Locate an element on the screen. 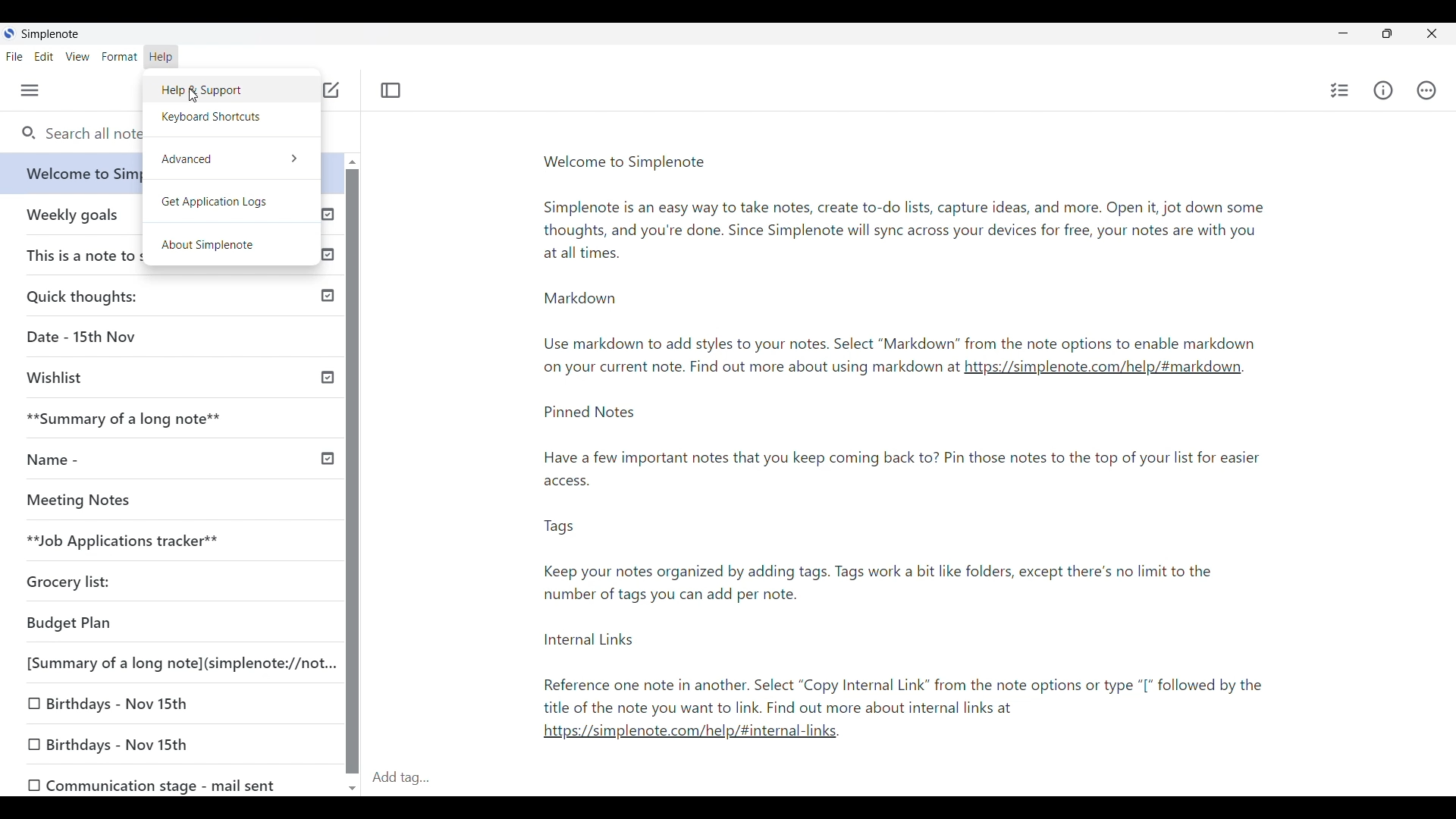 The image size is (1456, 819). Close interface is located at coordinates (1432, 33).